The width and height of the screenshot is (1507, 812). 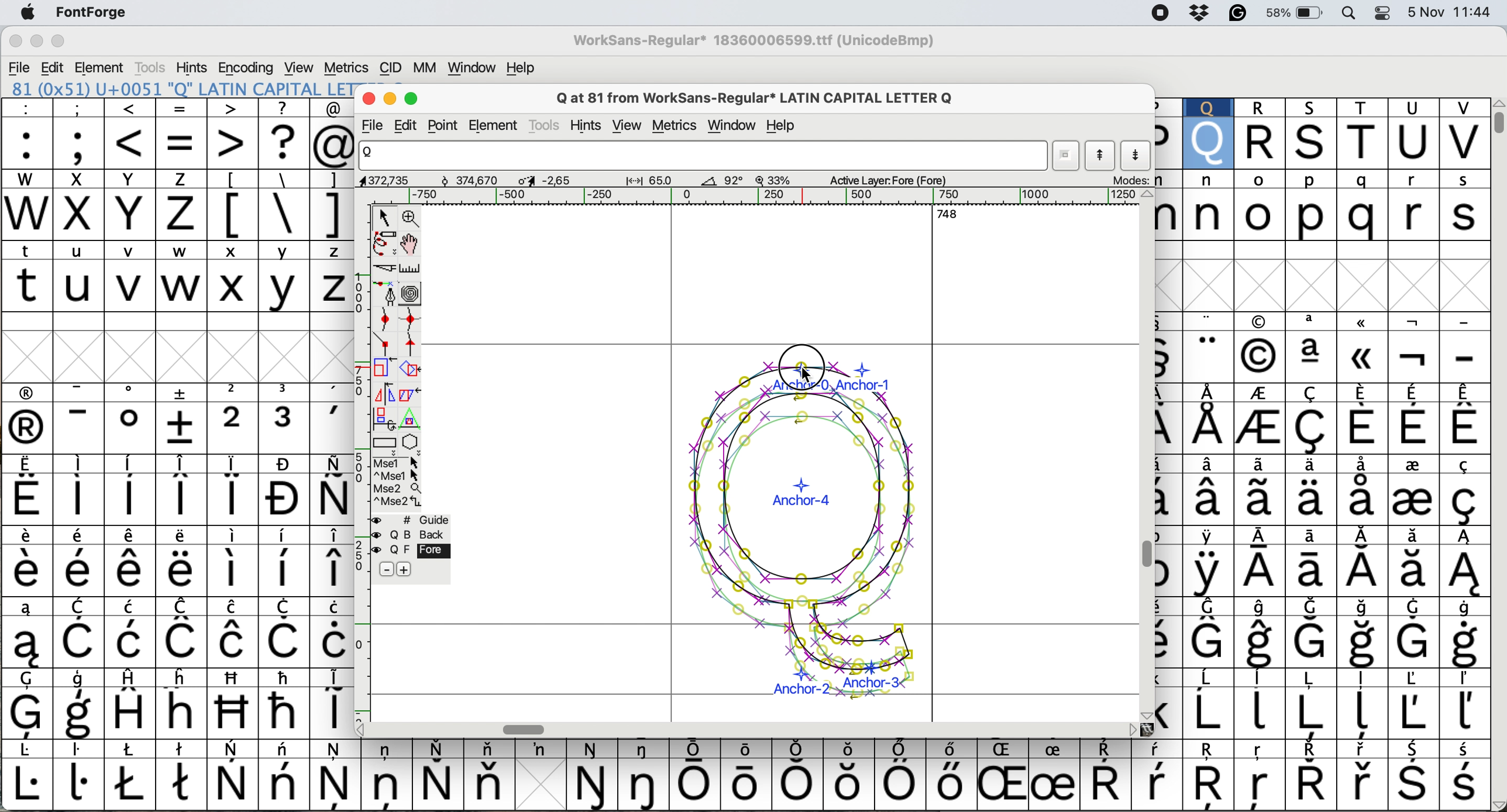 I want to click on rotate the selection, so click(x=407, y=370).